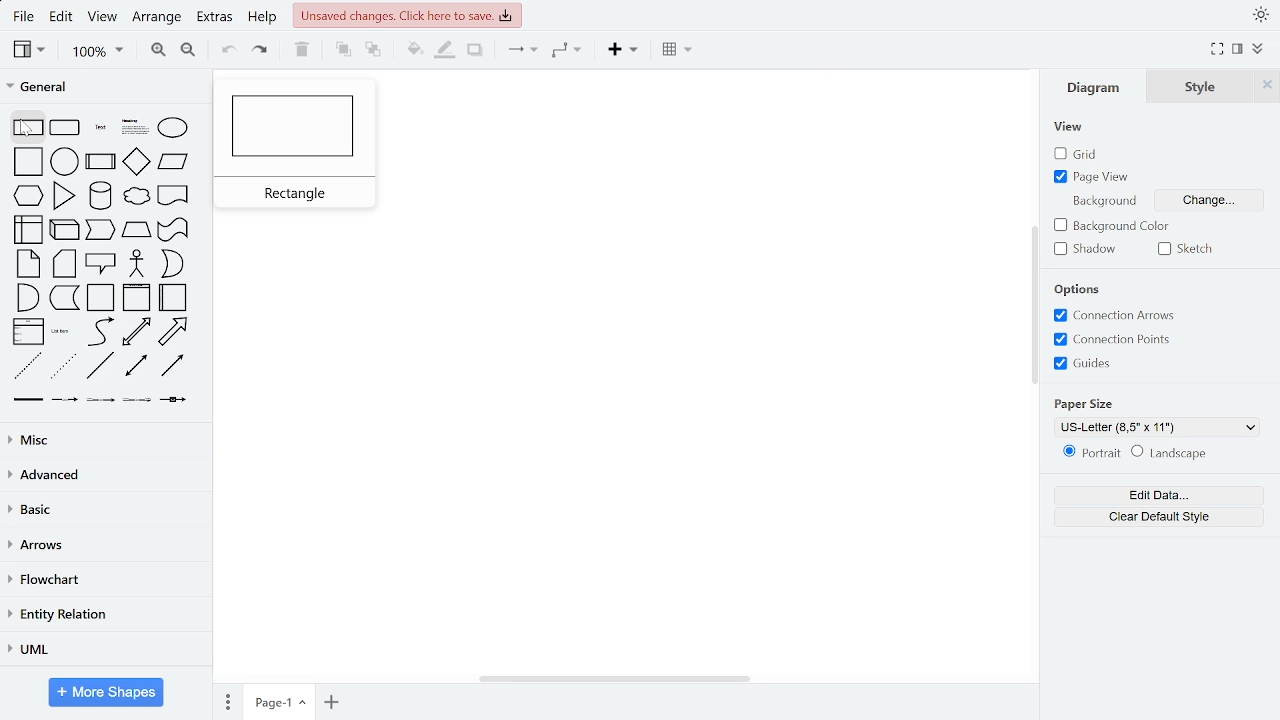  I want to click on sketch, so click(1185, 250).